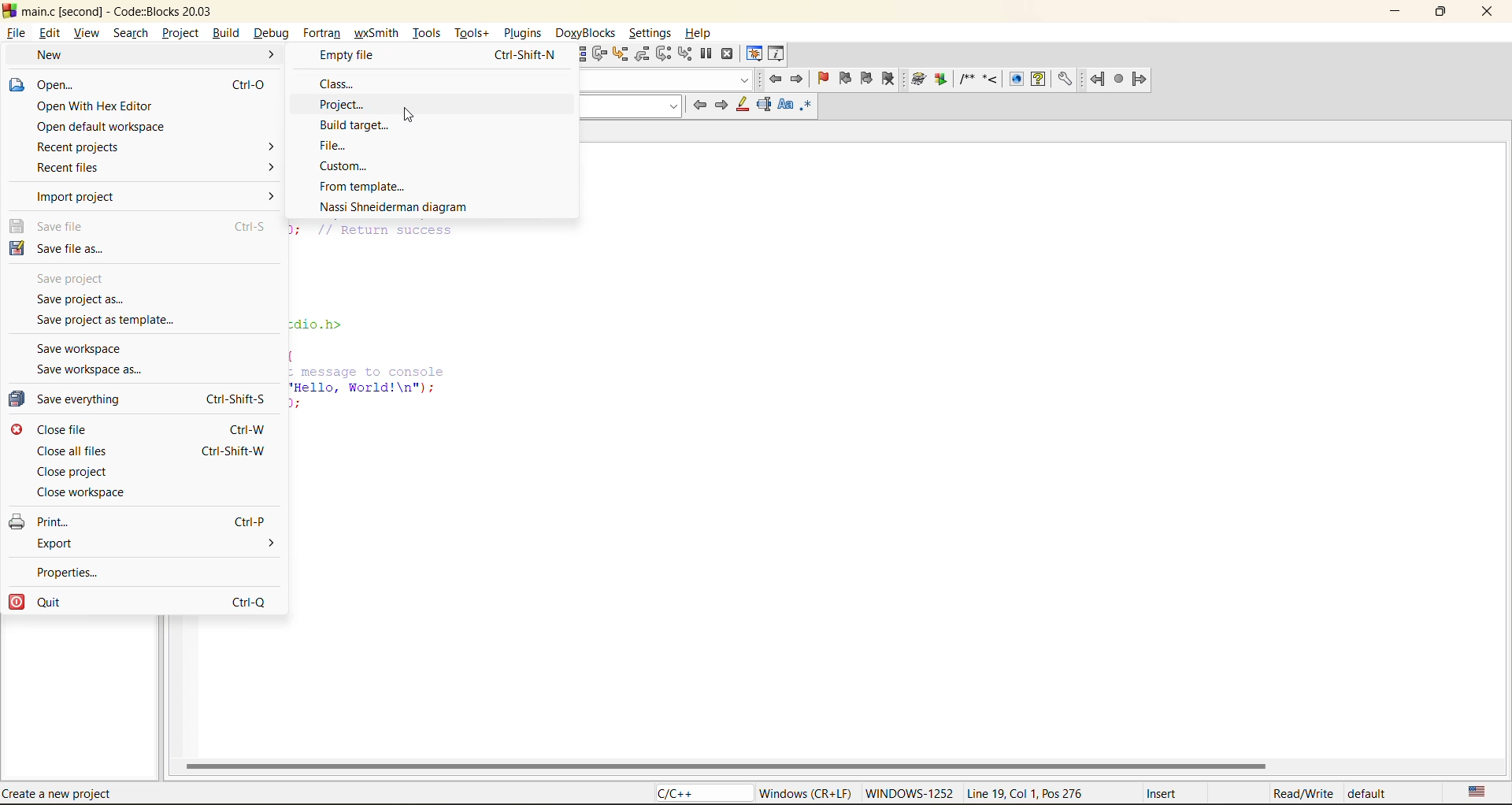  Describe the element at coordinates (182, 33) in the screenshot. I see `project` at that location.